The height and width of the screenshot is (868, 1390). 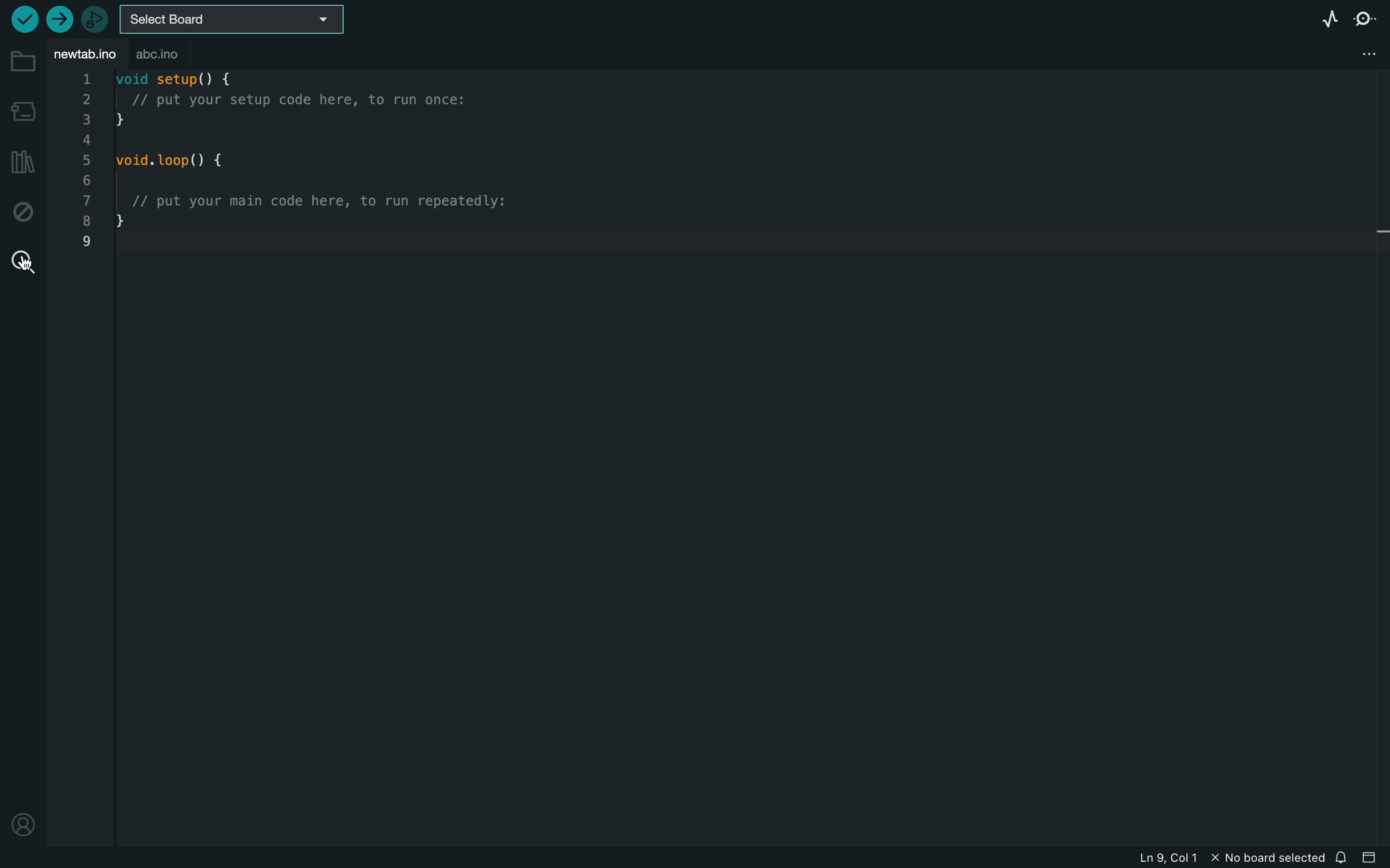 What do you see at coordinates (23, 262) in the screenshot?
I see `cursor` at bounding box center [23, 262].